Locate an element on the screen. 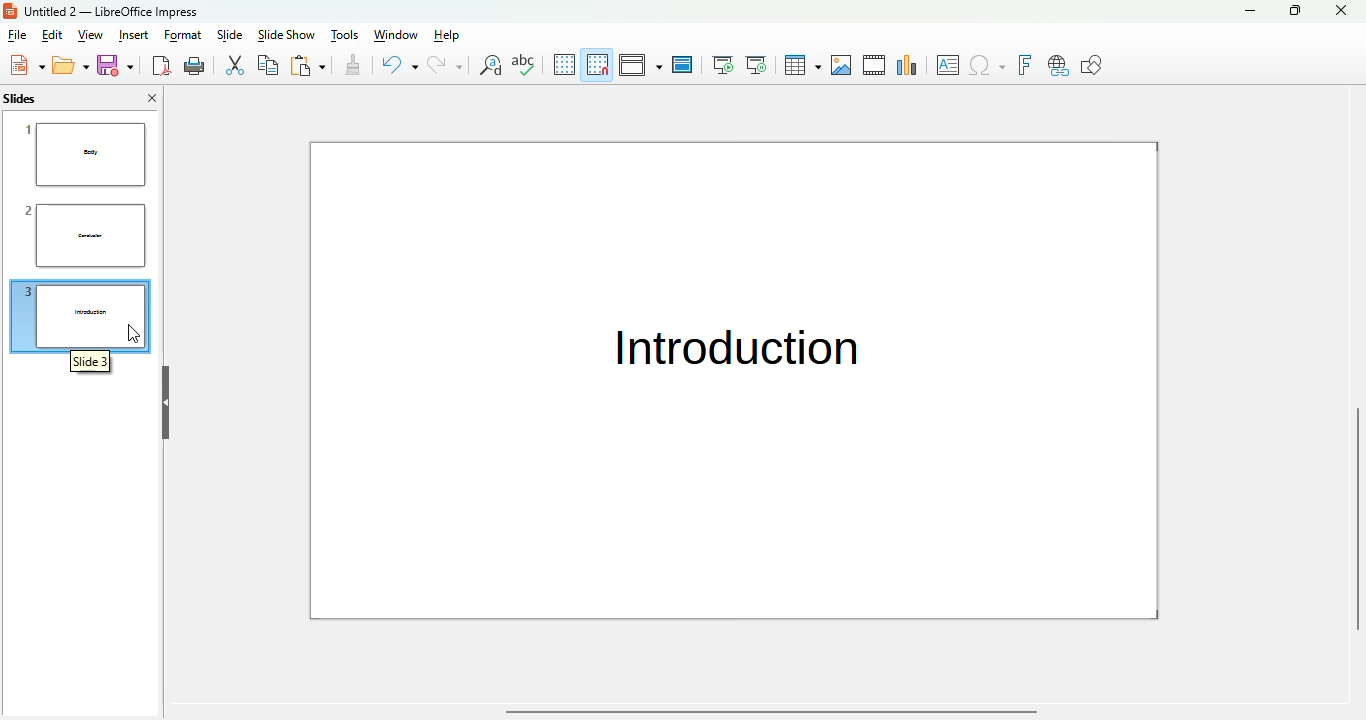 The height and width of the screenshot is (720, 1366). help is located at coordinates (446, 35).